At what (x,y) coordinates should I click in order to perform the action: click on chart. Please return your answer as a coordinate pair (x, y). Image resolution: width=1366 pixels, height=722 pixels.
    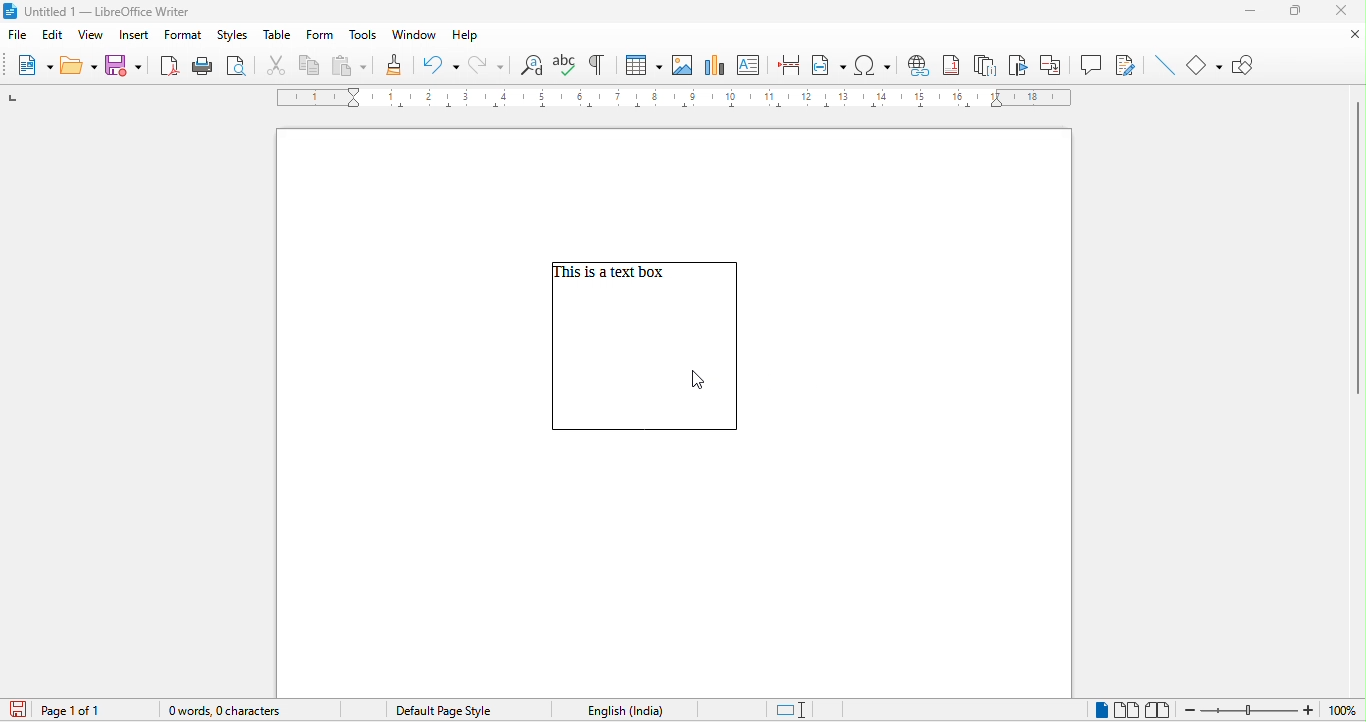
    Looking at the image, I should click on (718, 65).